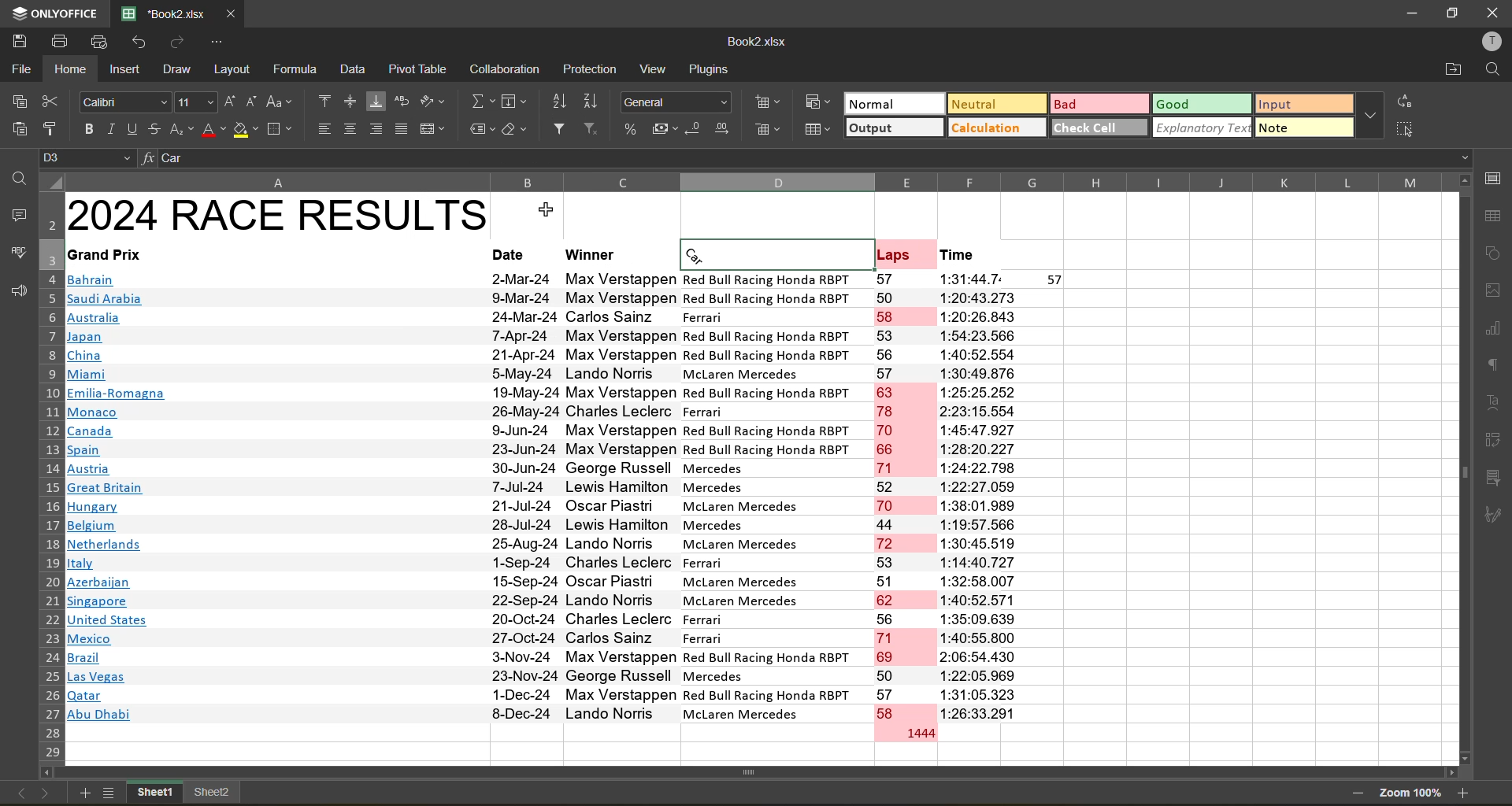  I want to click on underline, so click(132, 129).